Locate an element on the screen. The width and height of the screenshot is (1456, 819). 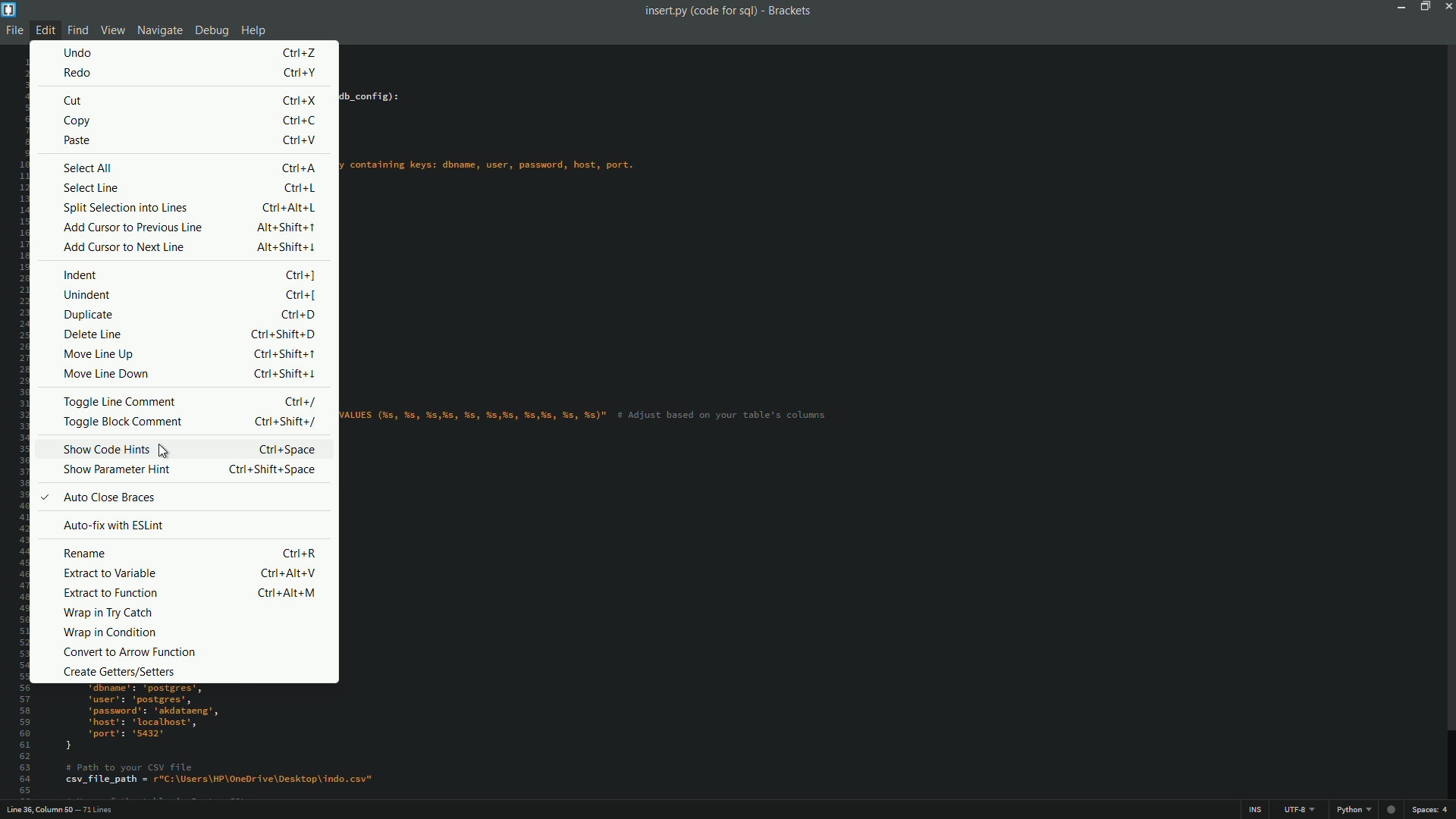
find menu is located at coordinates (76, 29).